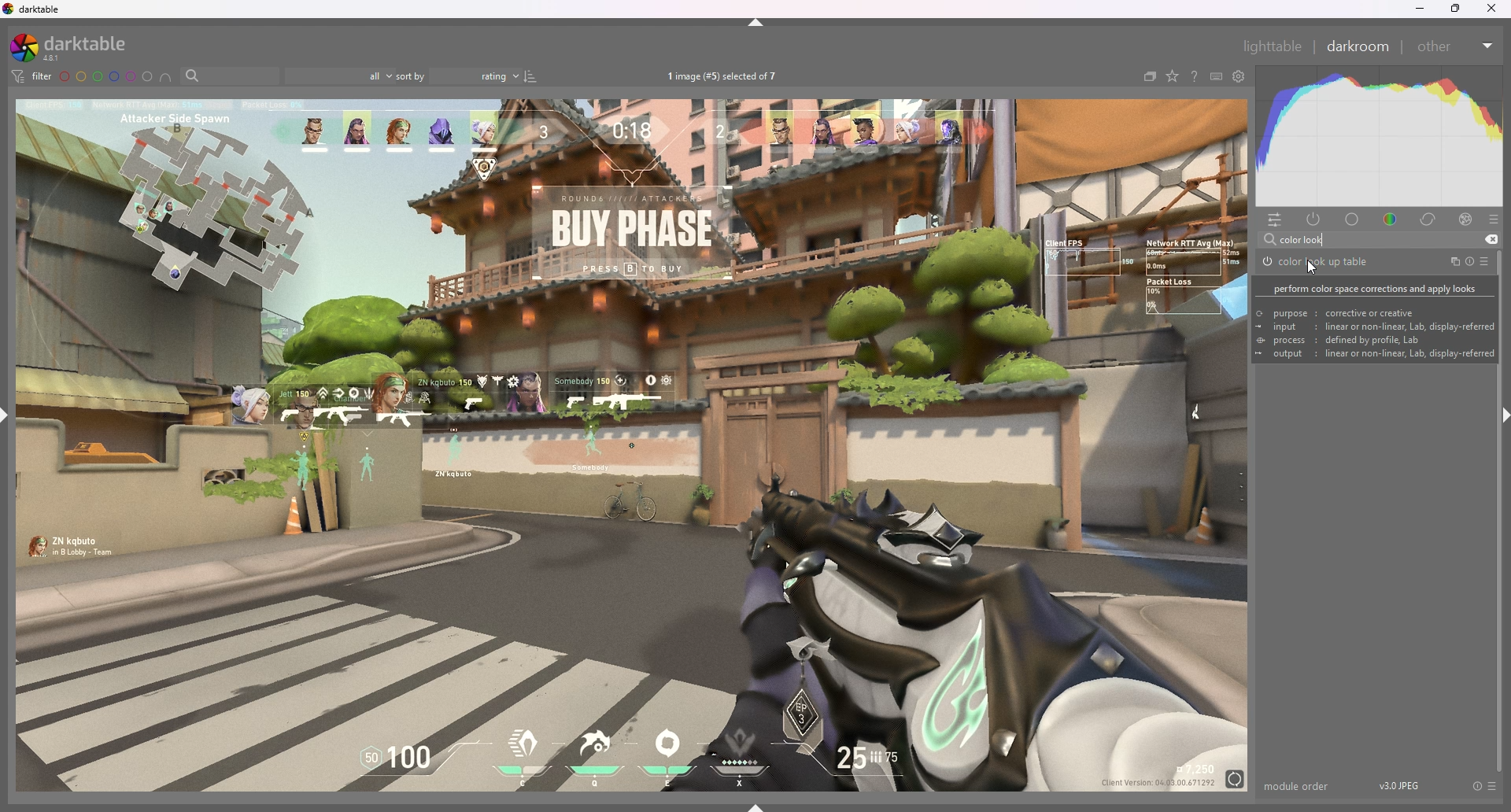 The image size is (1511, 812). I want to click on hide, so click(756, 23).